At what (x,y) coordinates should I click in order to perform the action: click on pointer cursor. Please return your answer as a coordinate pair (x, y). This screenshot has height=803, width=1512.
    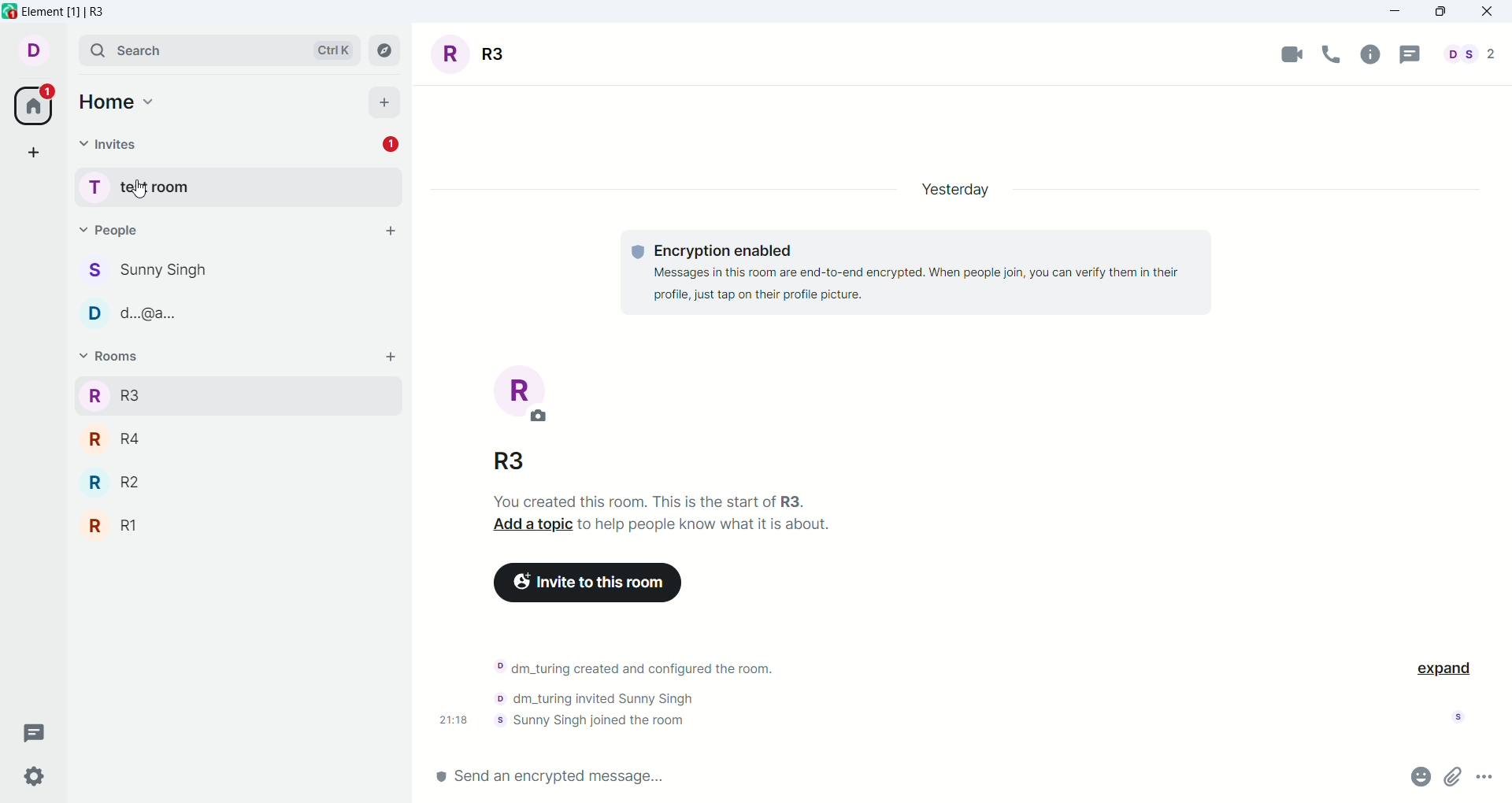
    Looking at the image, I should click on (135, 187).